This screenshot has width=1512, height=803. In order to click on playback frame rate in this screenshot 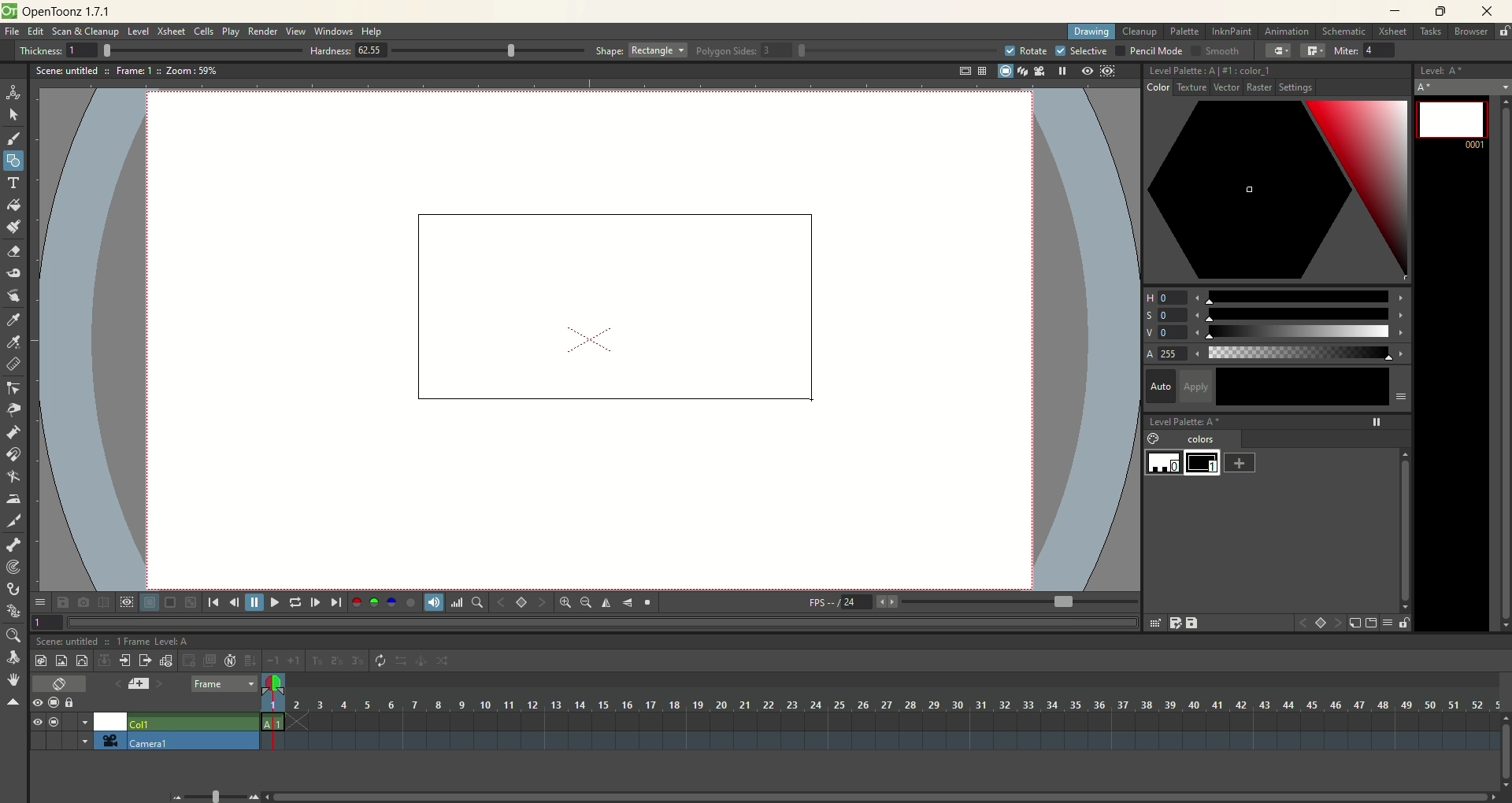, I will do `click(856, 605)`.